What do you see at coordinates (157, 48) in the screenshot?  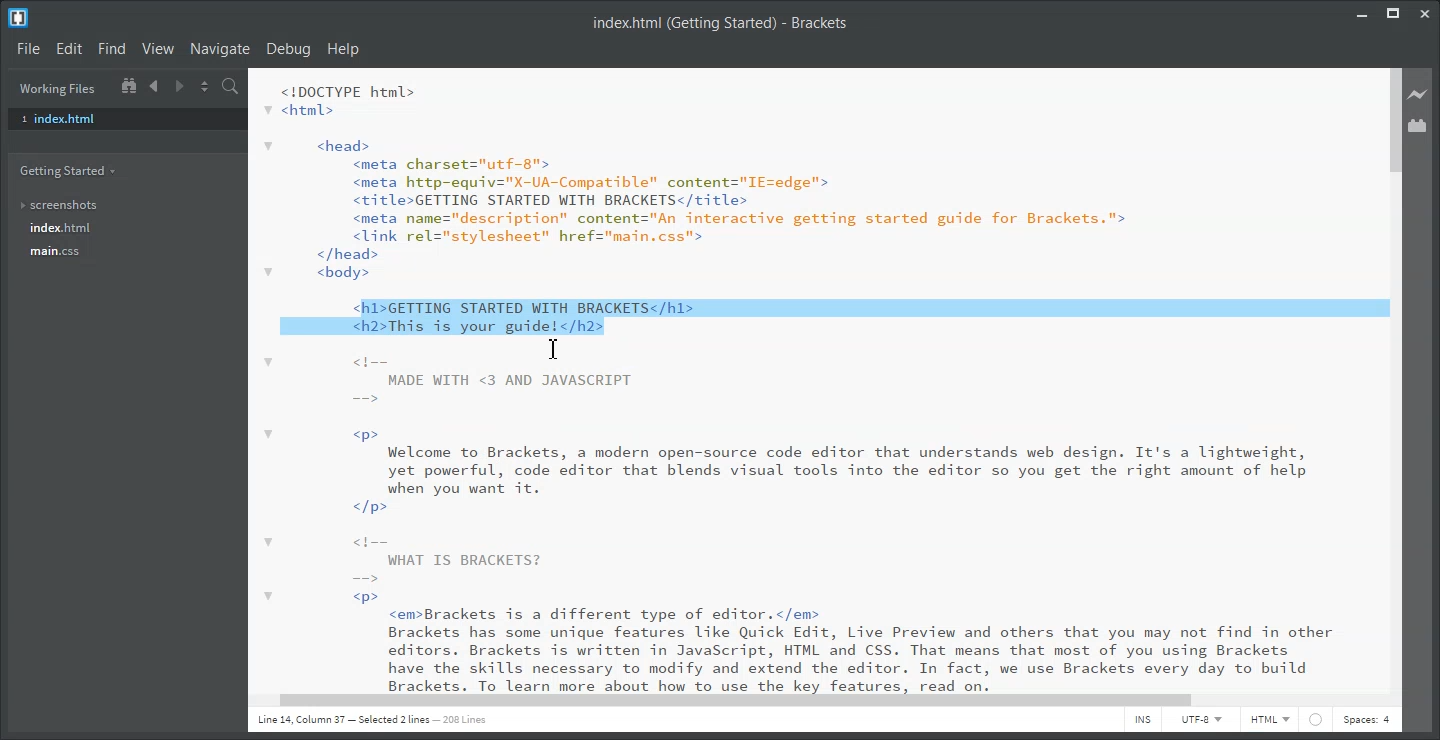 I see `View` at bounding box center [157, 48].